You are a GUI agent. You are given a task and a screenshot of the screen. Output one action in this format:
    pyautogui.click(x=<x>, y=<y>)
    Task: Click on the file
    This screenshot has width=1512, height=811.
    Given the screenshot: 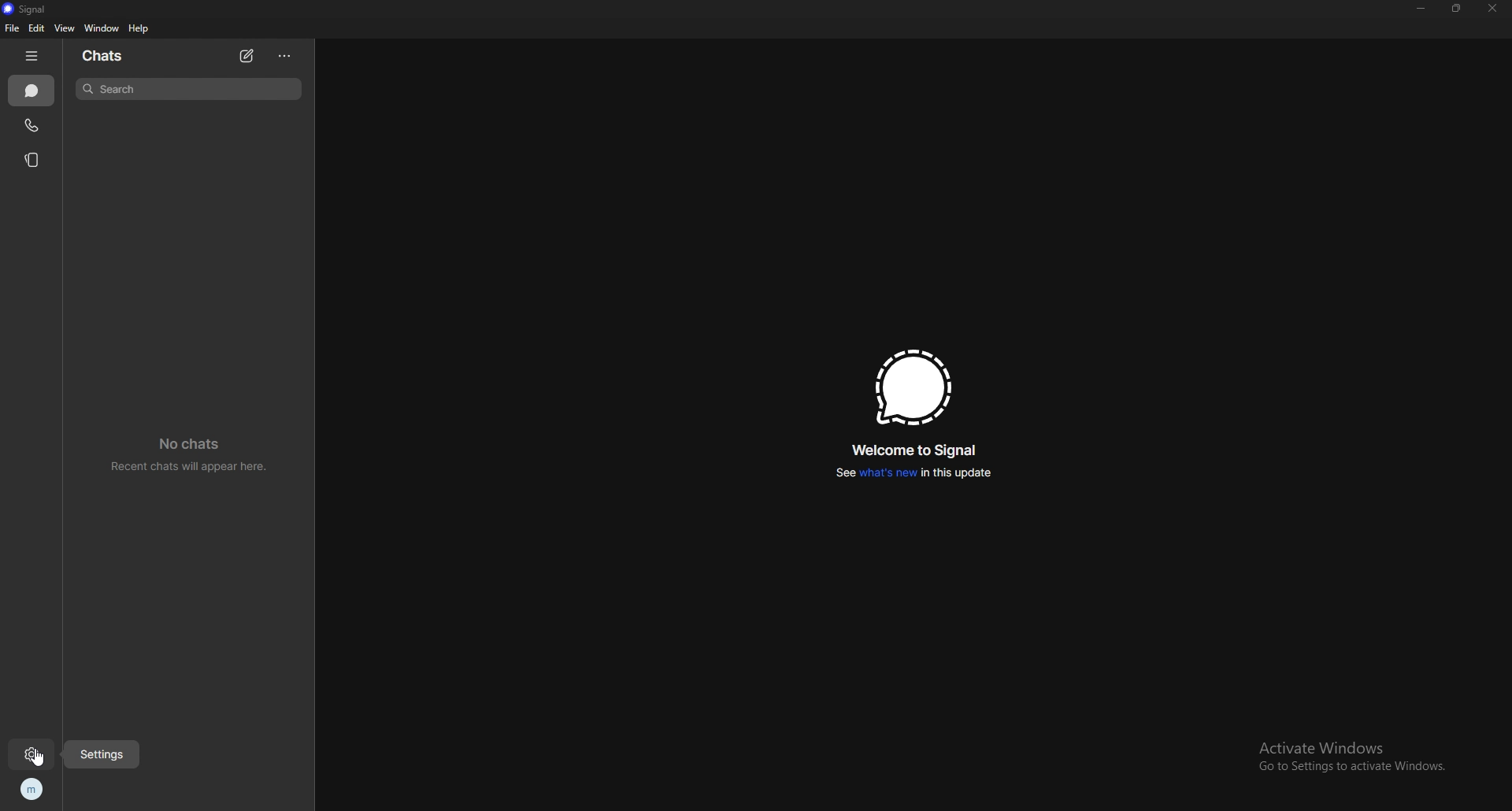 What is the action you would take?
    pyautogui.click(x=13, y=28)
    